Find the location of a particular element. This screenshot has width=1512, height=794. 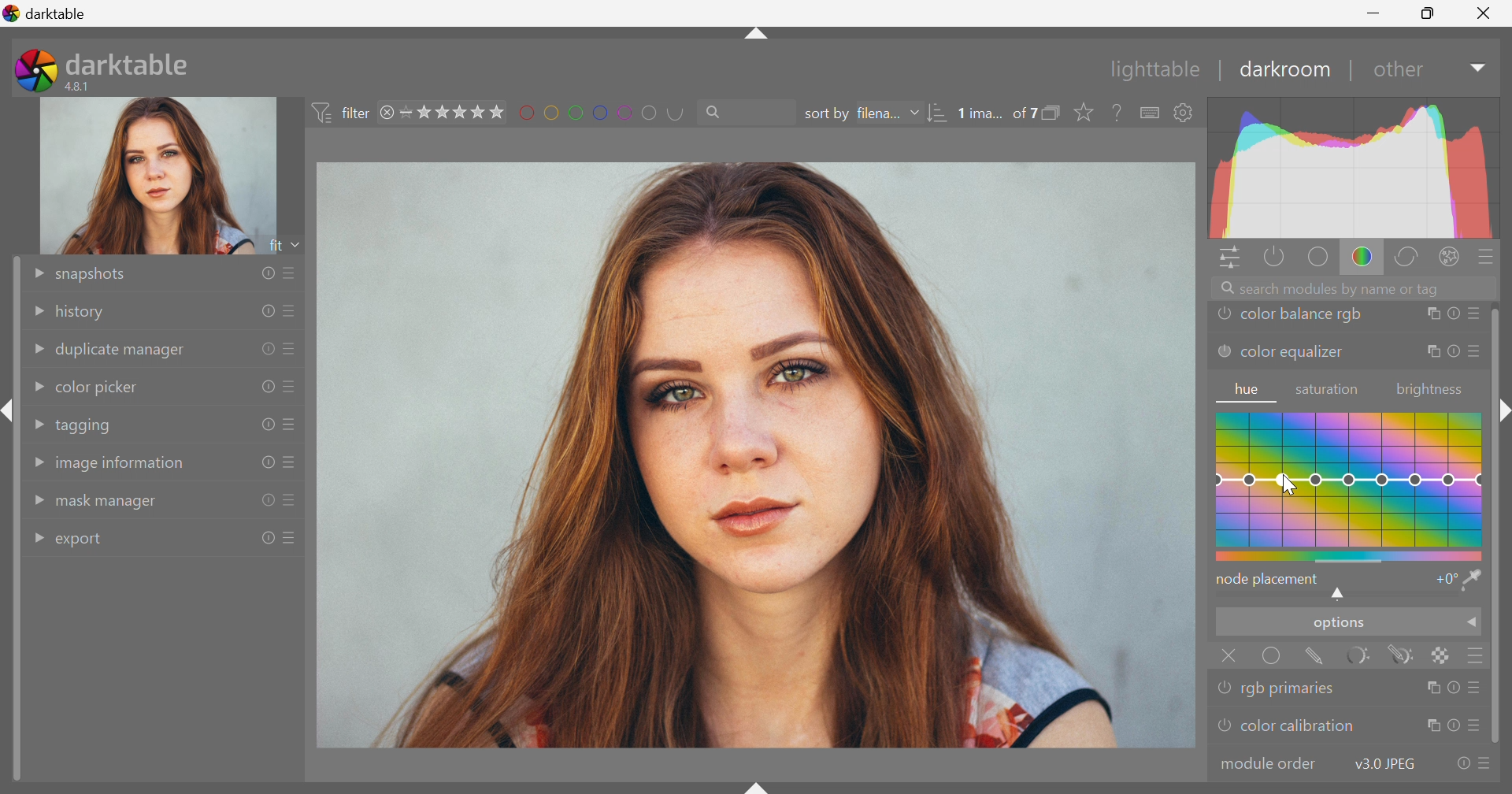

Drop Down is located at coordinates (35, 387).